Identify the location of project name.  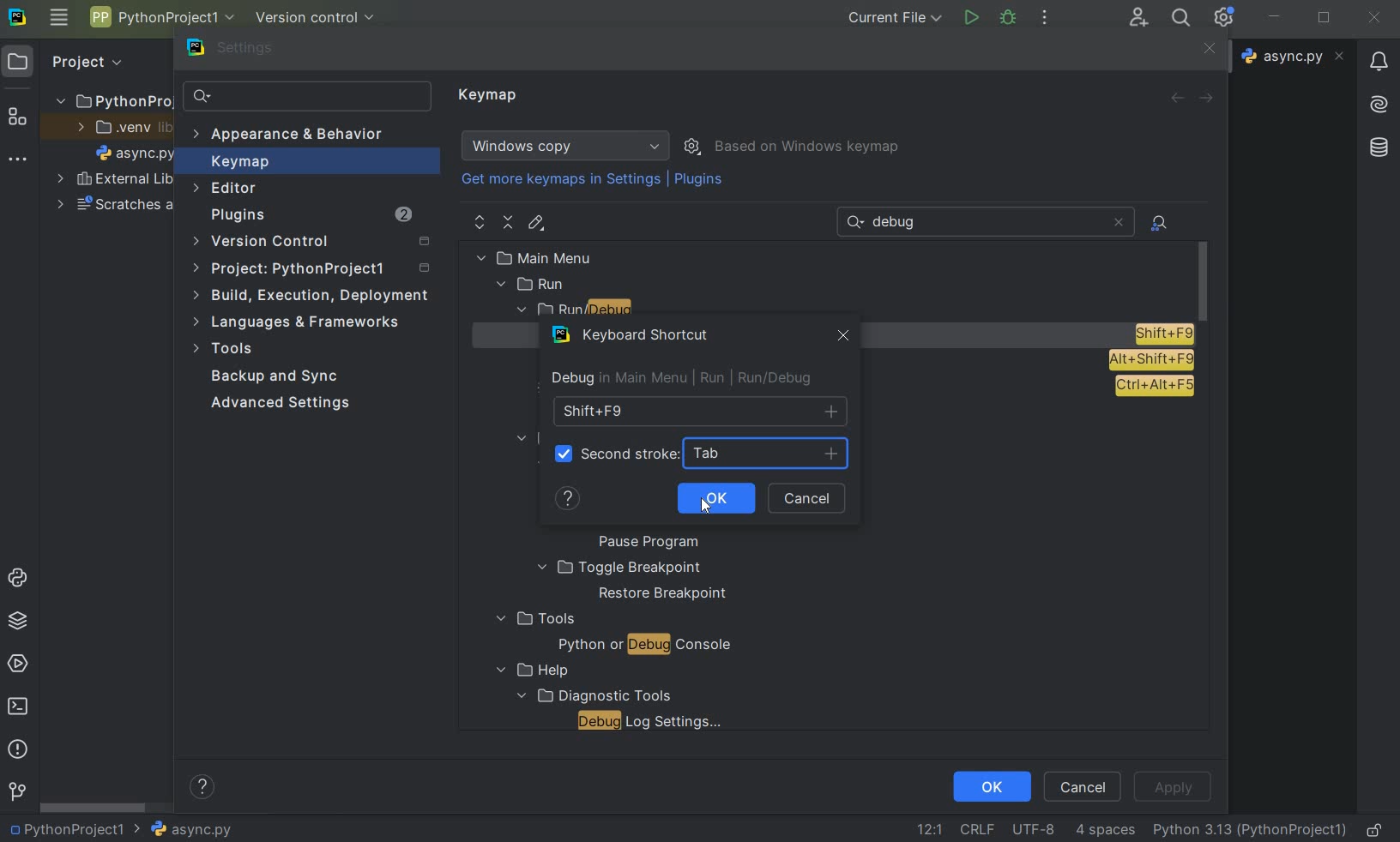
(160, 17).